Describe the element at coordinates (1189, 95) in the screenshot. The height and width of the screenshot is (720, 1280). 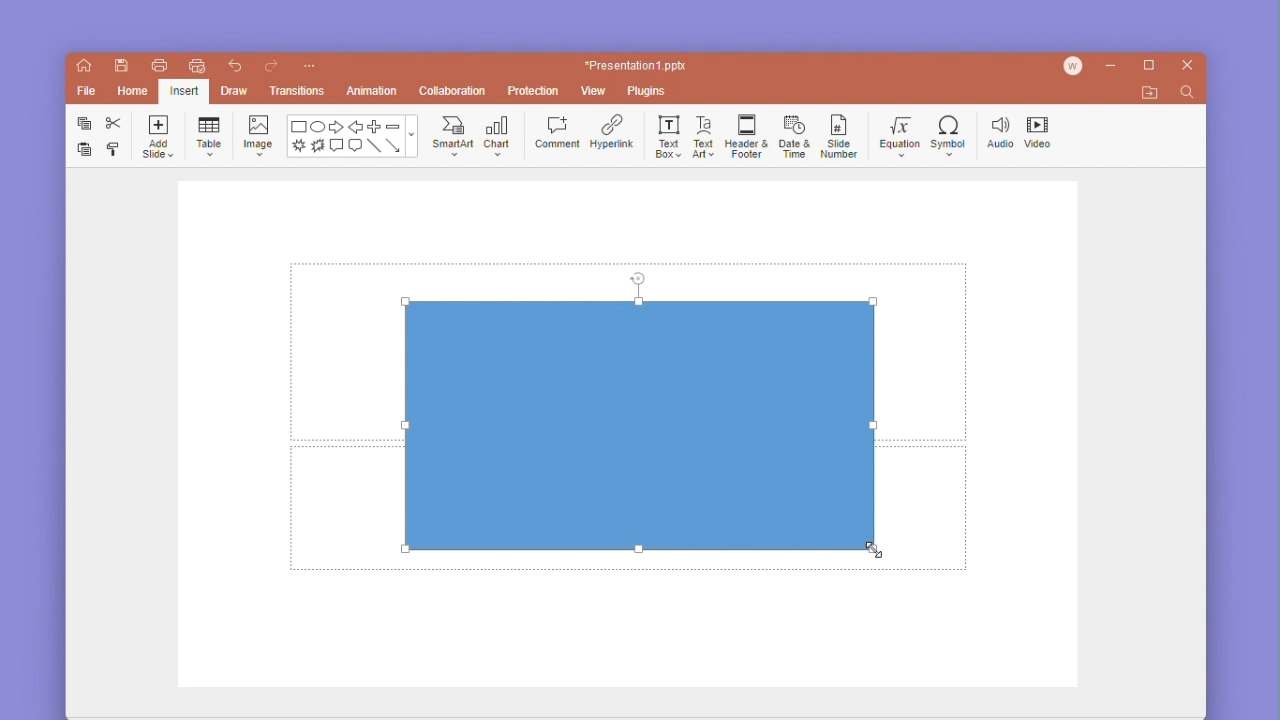
I see `find` at that location.